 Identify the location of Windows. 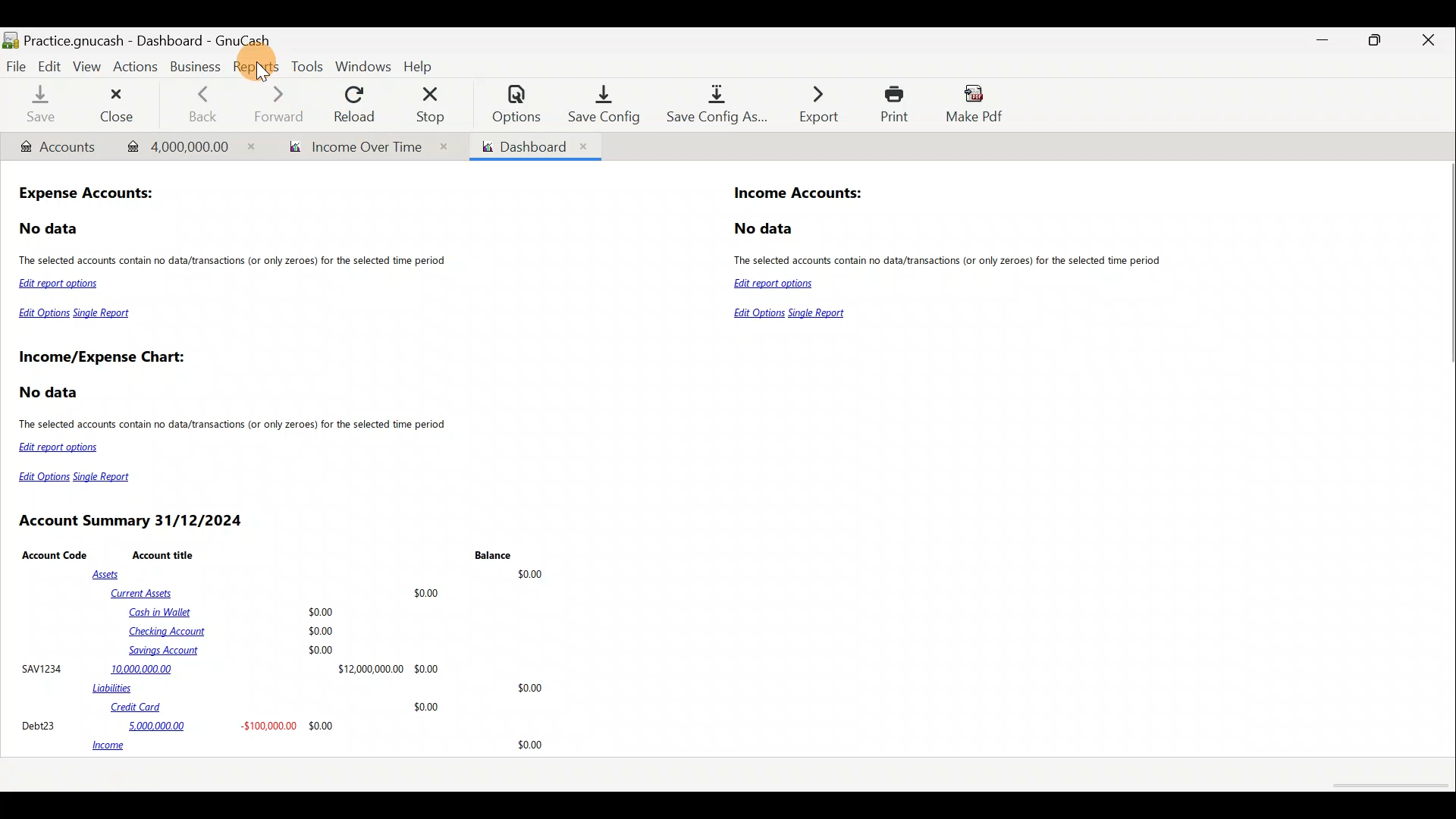
(363, 66).